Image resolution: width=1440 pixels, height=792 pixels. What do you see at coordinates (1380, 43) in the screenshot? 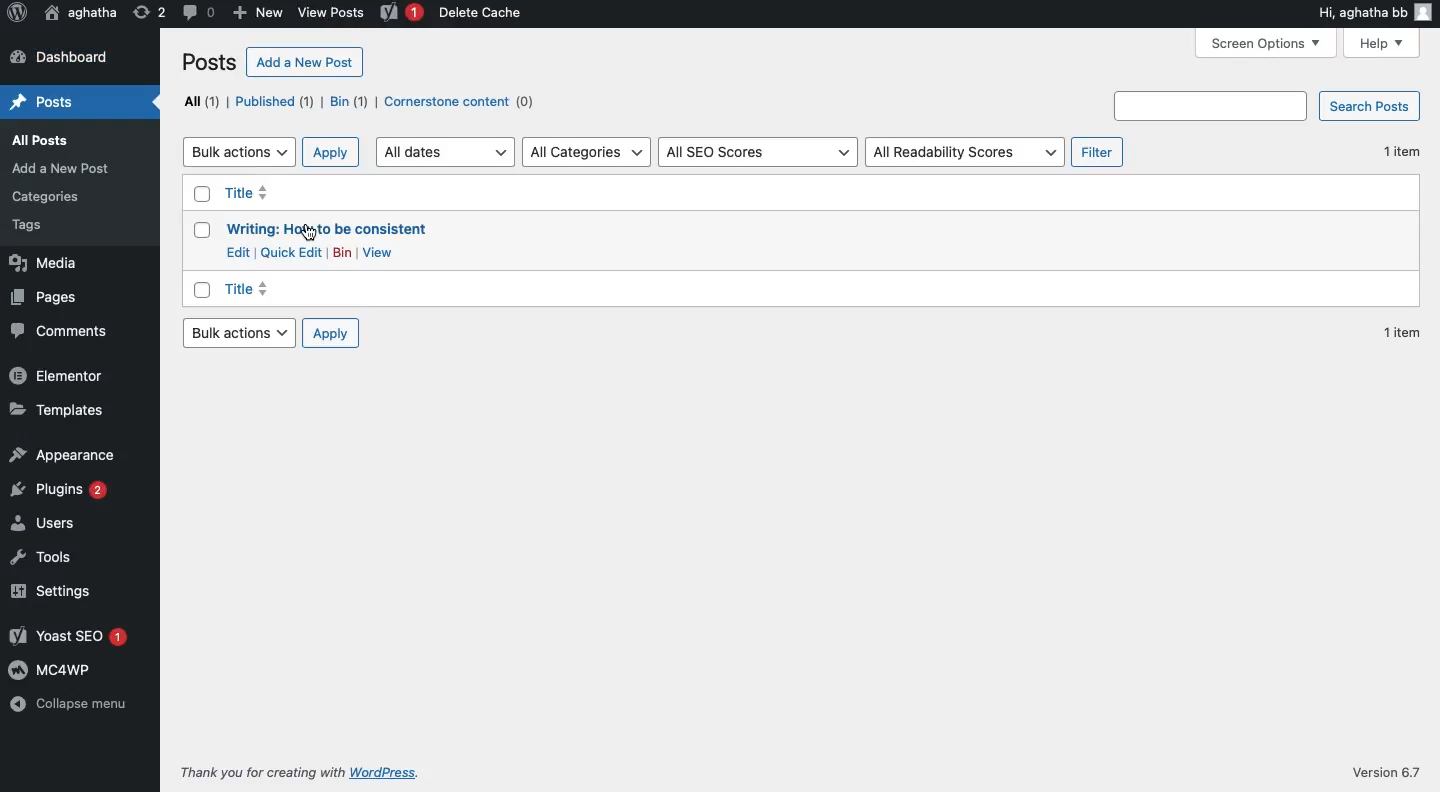
I see `Help` at bounding box center [1380, 43].